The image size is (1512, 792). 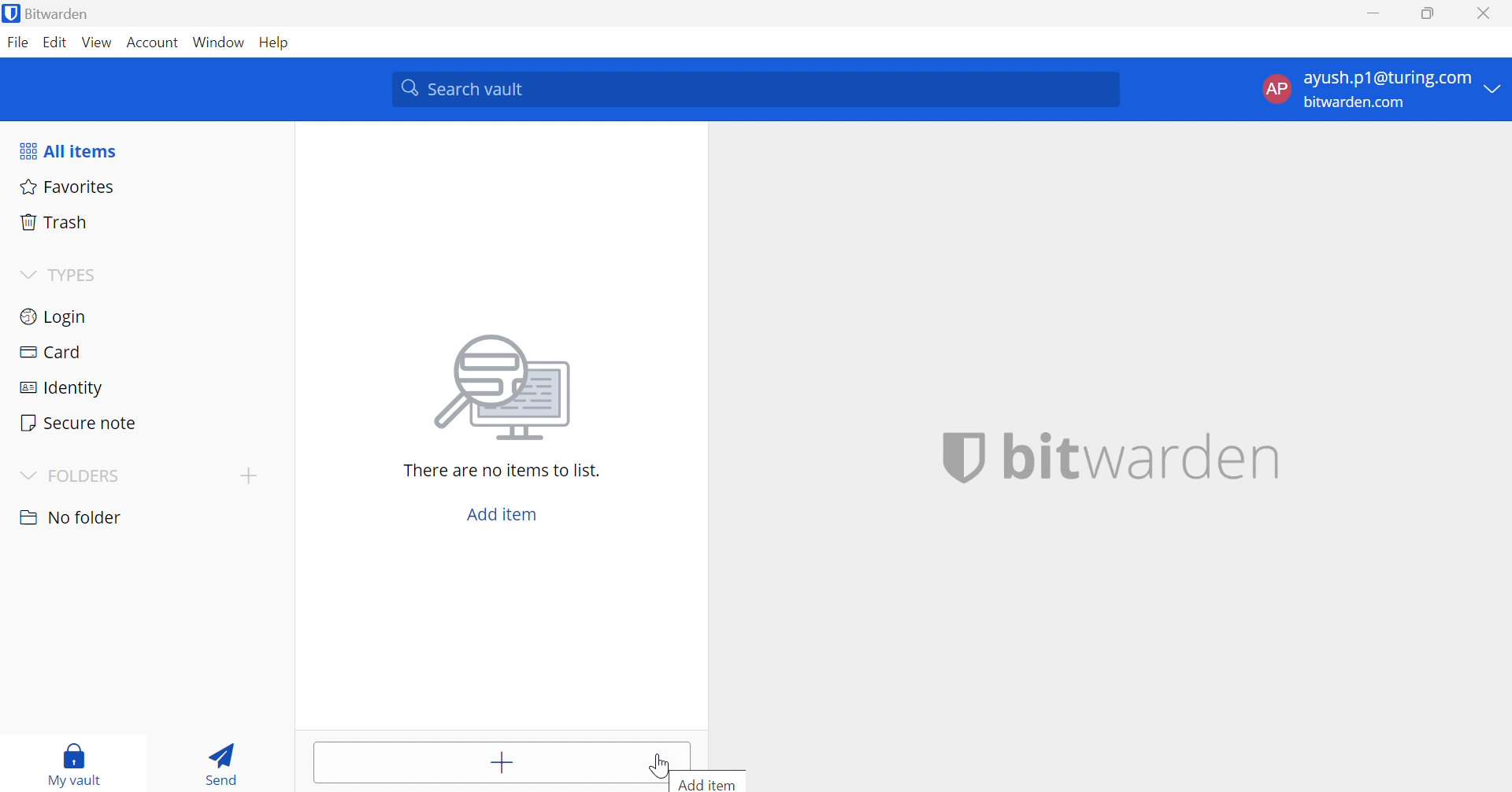 I want to click on Trash, so click(x=147, y=221).